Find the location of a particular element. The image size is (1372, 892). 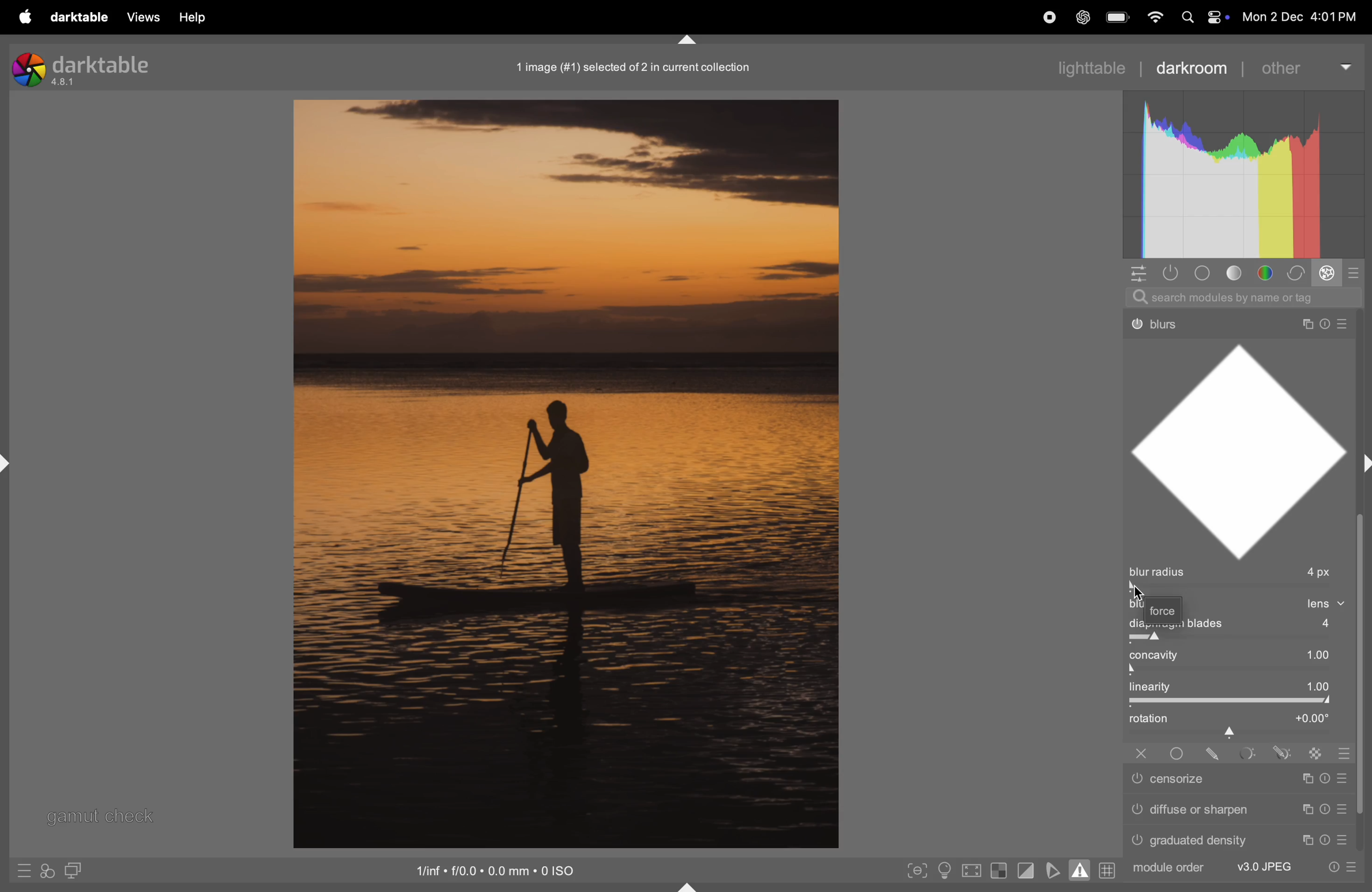

quick acess to panel is located at coordinates (1136, 275).